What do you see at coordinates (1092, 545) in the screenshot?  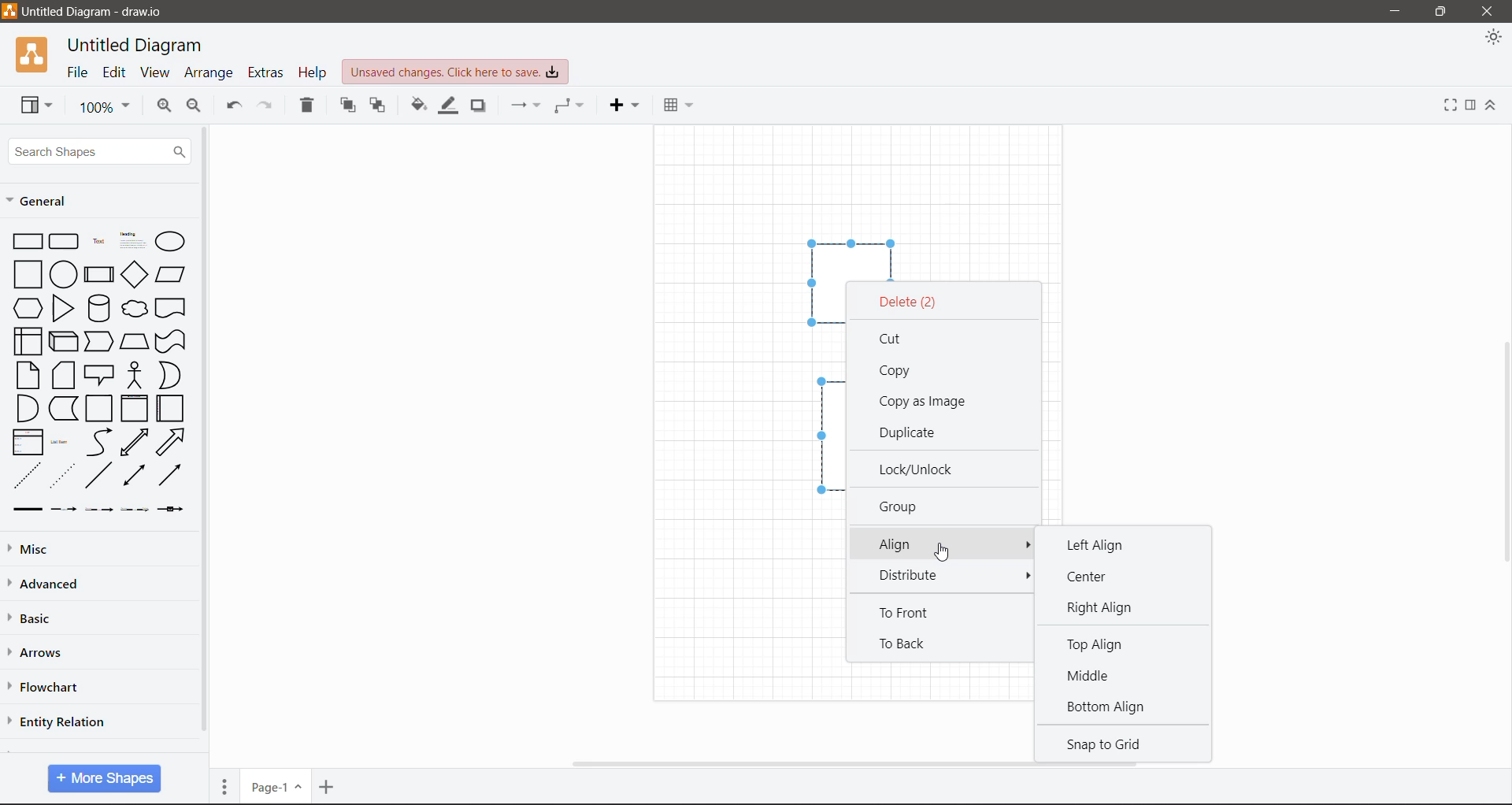 I see `Left Align` at bounding box center [1092, 545].